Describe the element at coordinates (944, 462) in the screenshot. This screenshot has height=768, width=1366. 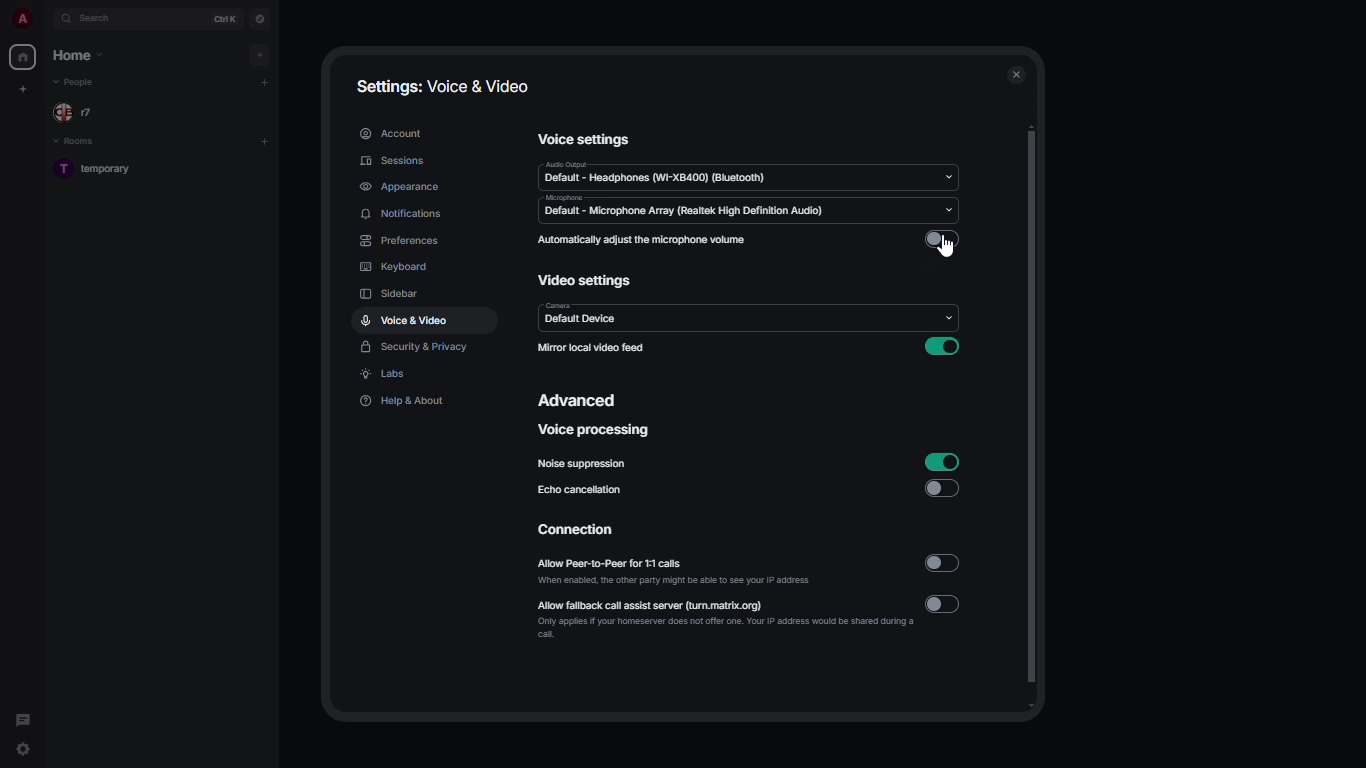
I see `enabled` at that location.